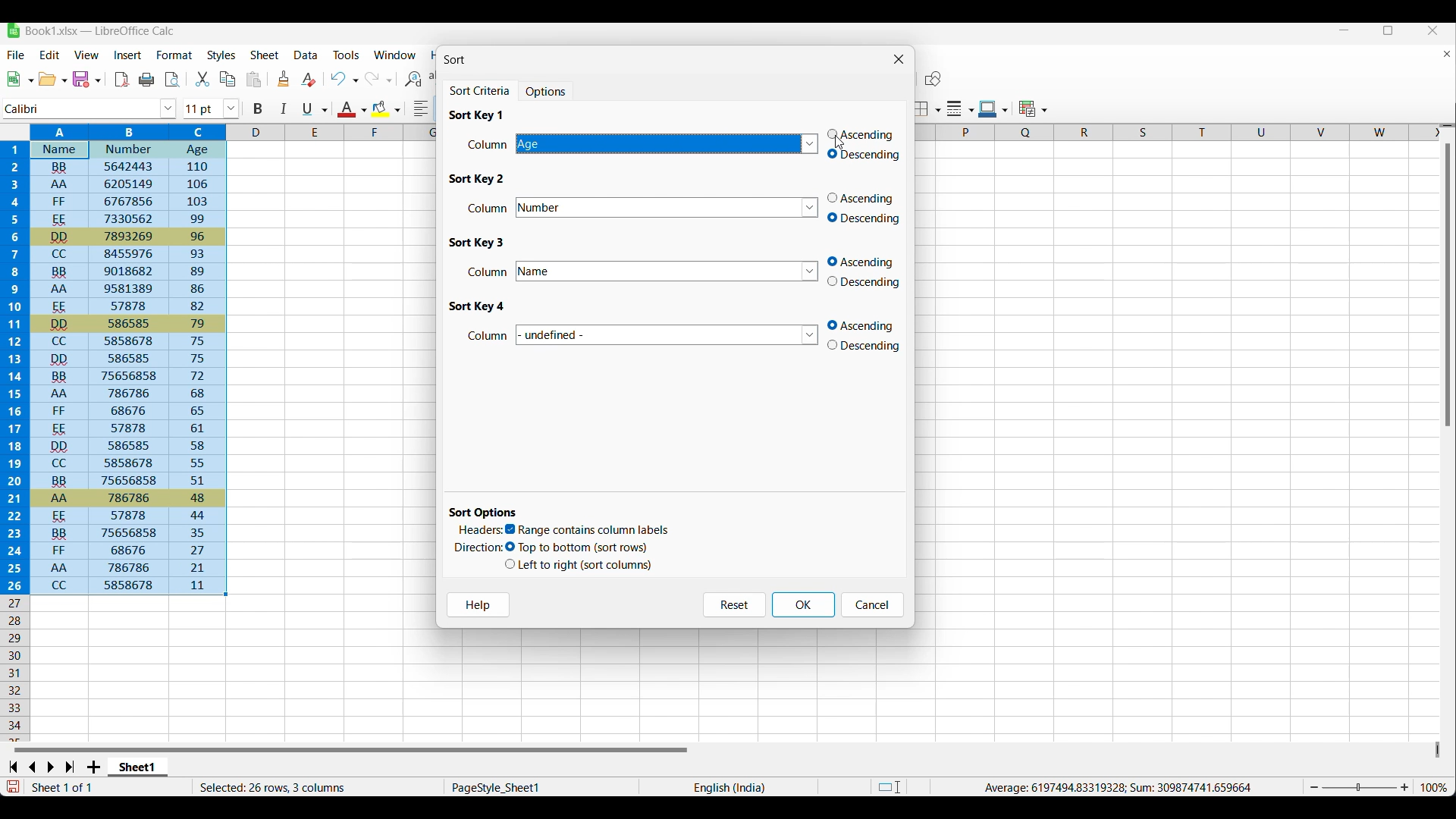 The height and width of the screenshot is (819, 1456). Describe the element at coordinates (128, 55) in the screenshot. I see `Insert menu` at that location.